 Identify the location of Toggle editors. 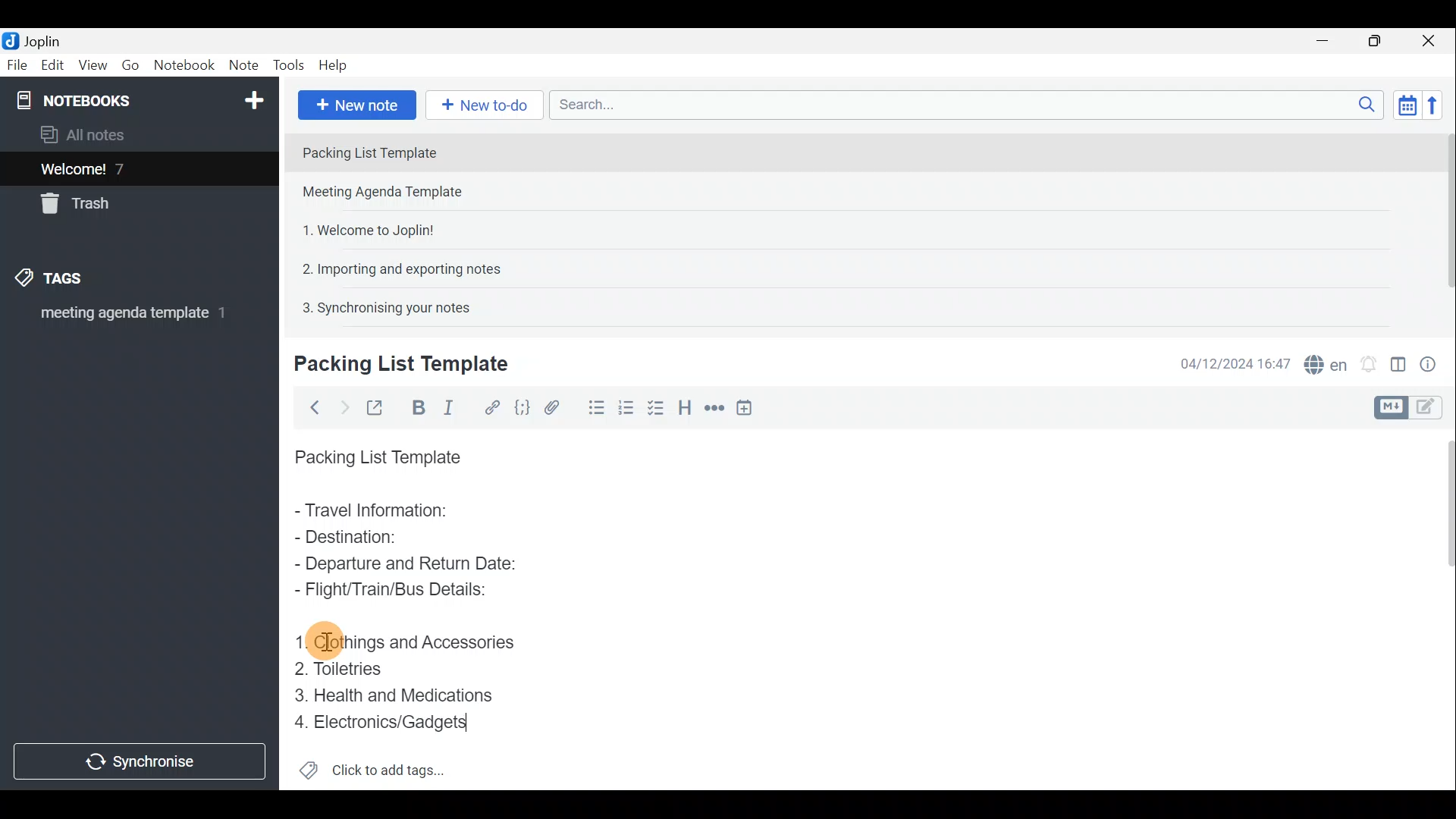
(1433, 409).